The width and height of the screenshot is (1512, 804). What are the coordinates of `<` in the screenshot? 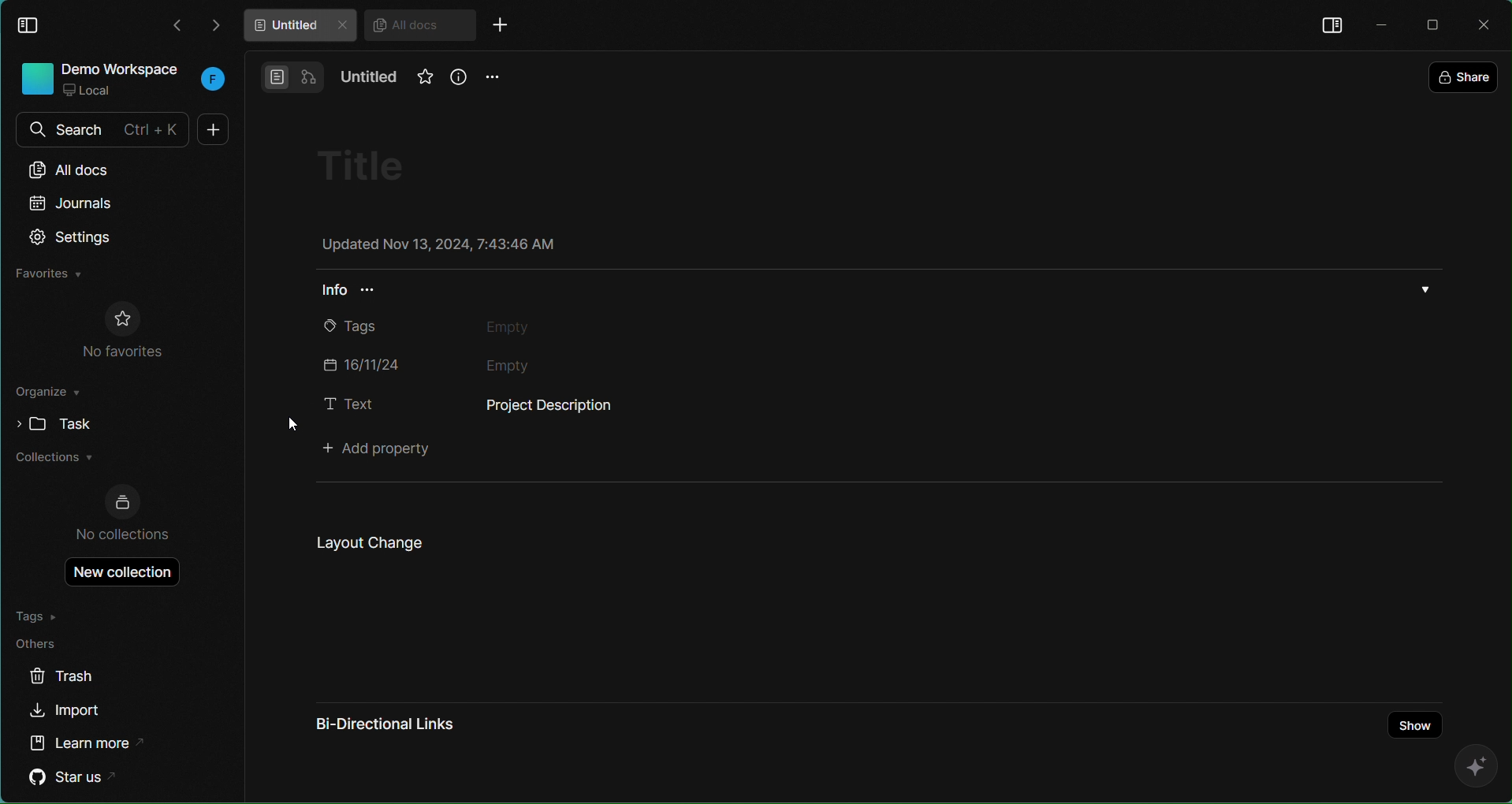 It's located at (177, 27).